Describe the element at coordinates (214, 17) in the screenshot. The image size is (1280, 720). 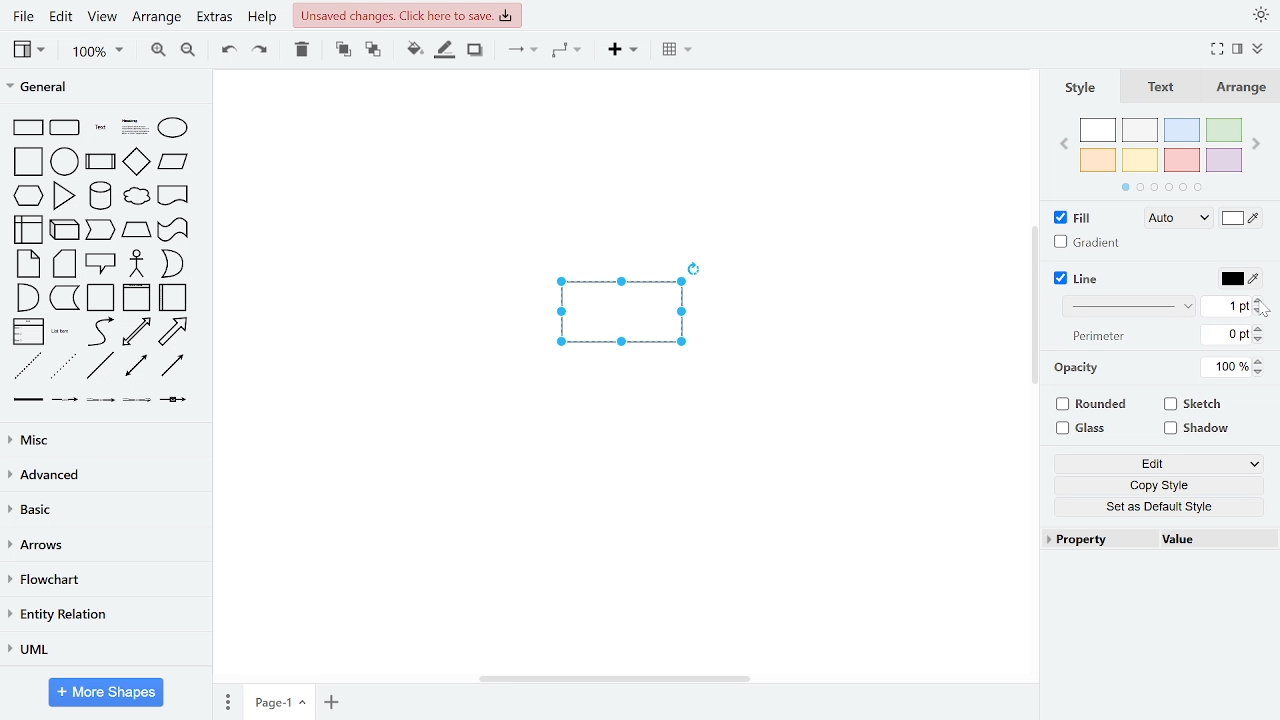
I see `extras` at that location.